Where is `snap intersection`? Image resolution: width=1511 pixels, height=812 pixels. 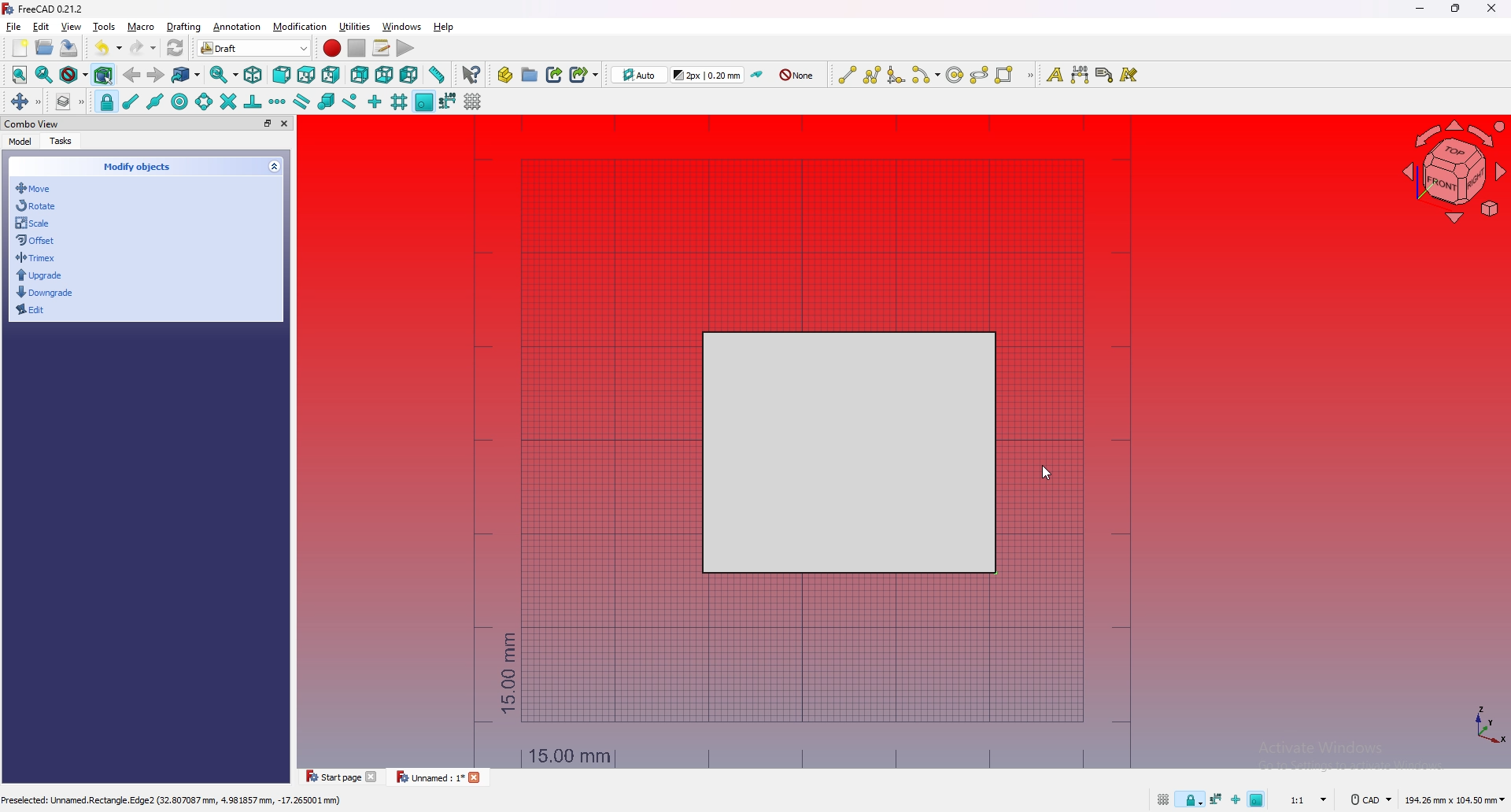 snap intersection is located at coordinates (227, 101).